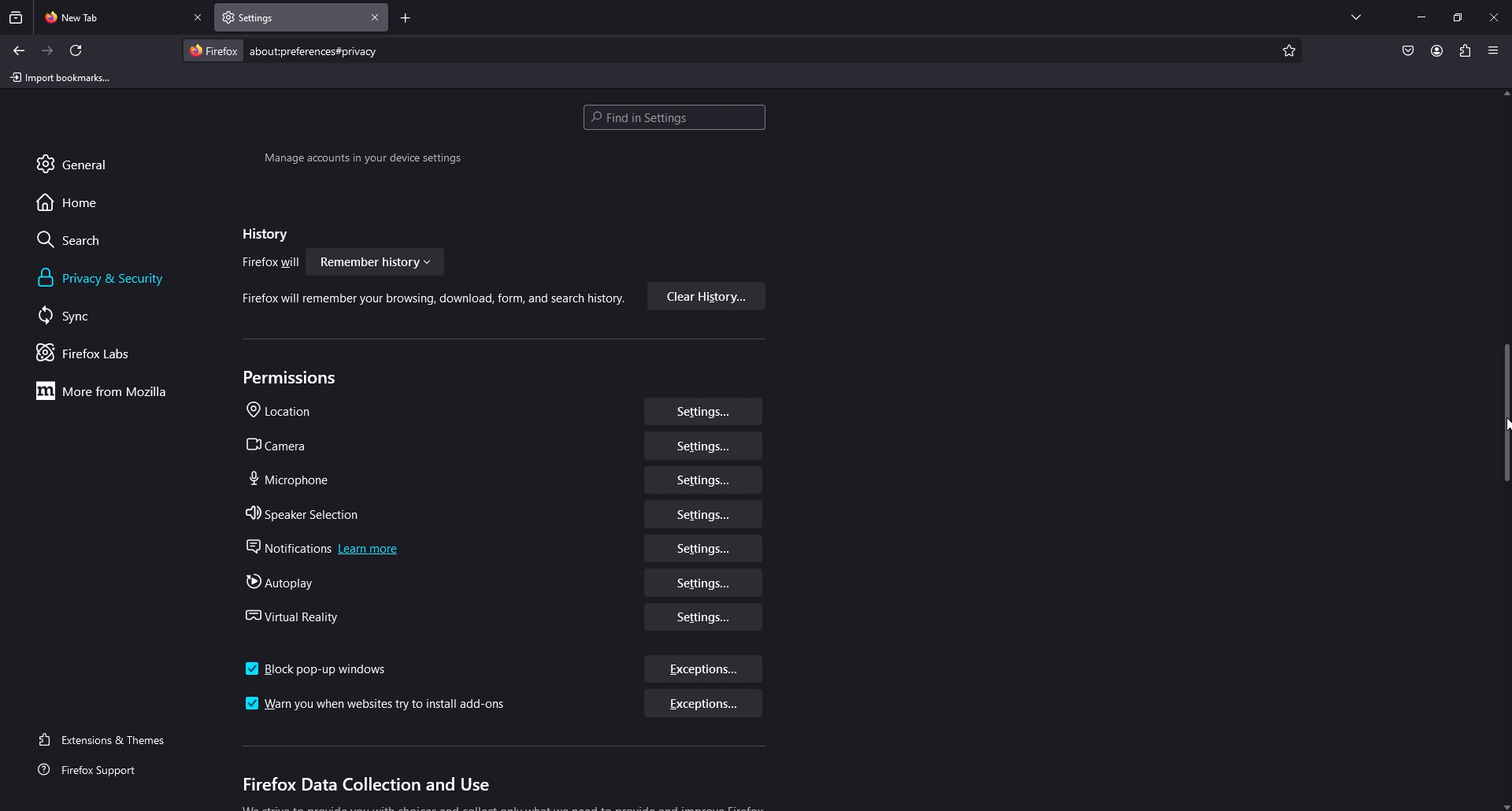  What do you see at coordinates (702, 480) in the screenshot?
I see `settings` at bounding box center [702, 480].